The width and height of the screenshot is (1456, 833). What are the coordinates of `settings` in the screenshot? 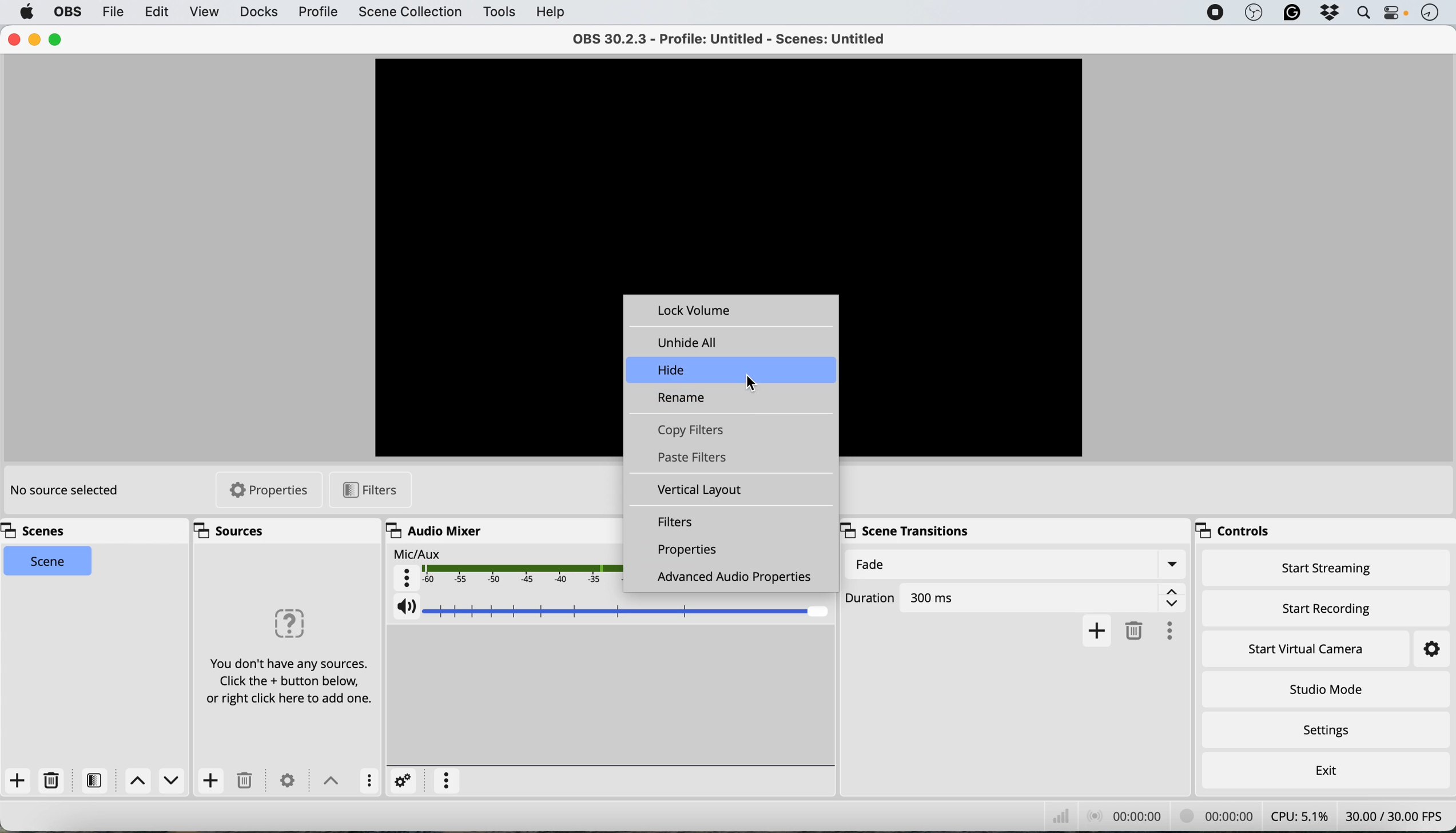 It's located at (285, 780).